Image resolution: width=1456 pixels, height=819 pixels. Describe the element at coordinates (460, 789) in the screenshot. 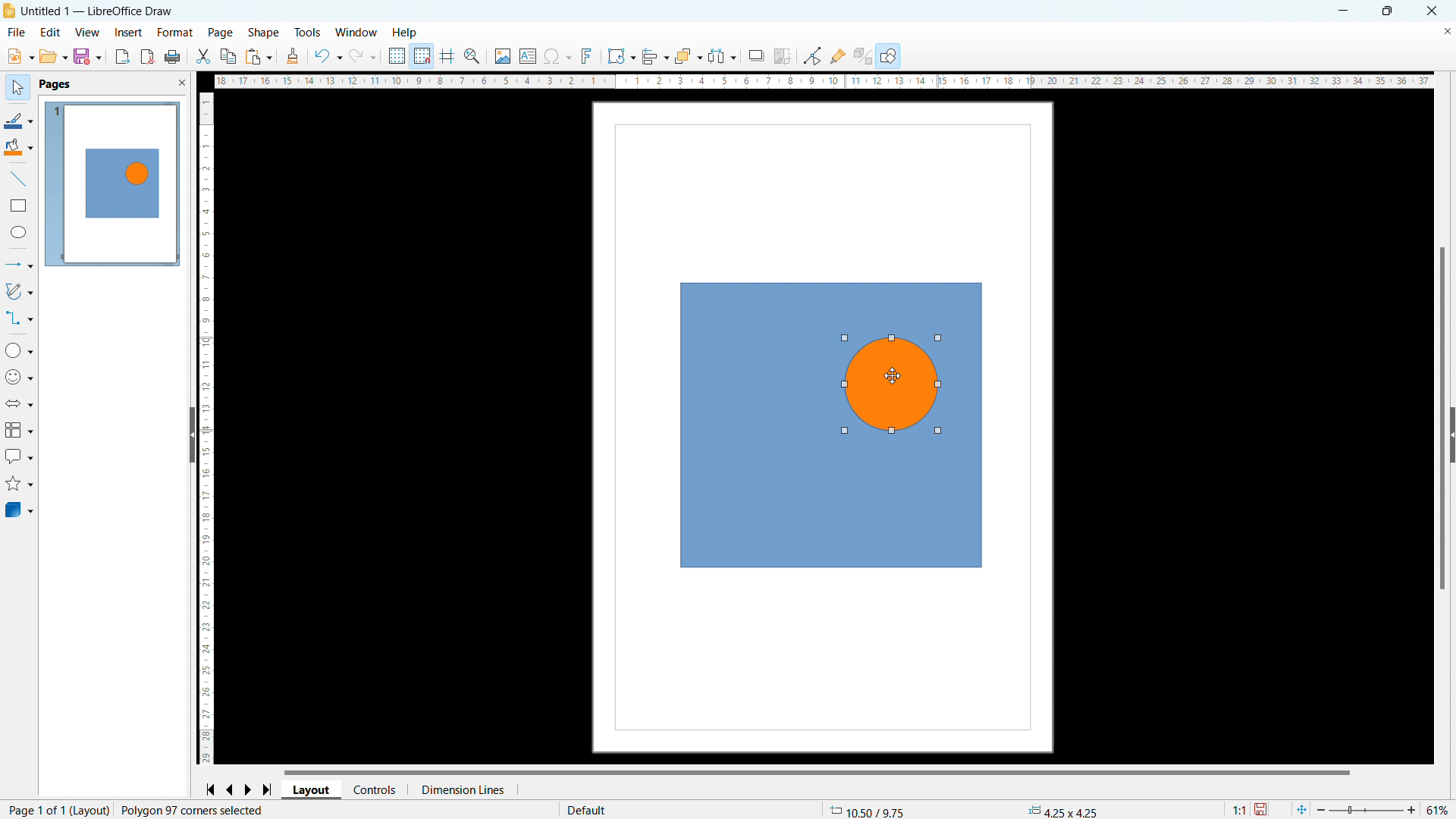

I see `dimension lines` at that location.